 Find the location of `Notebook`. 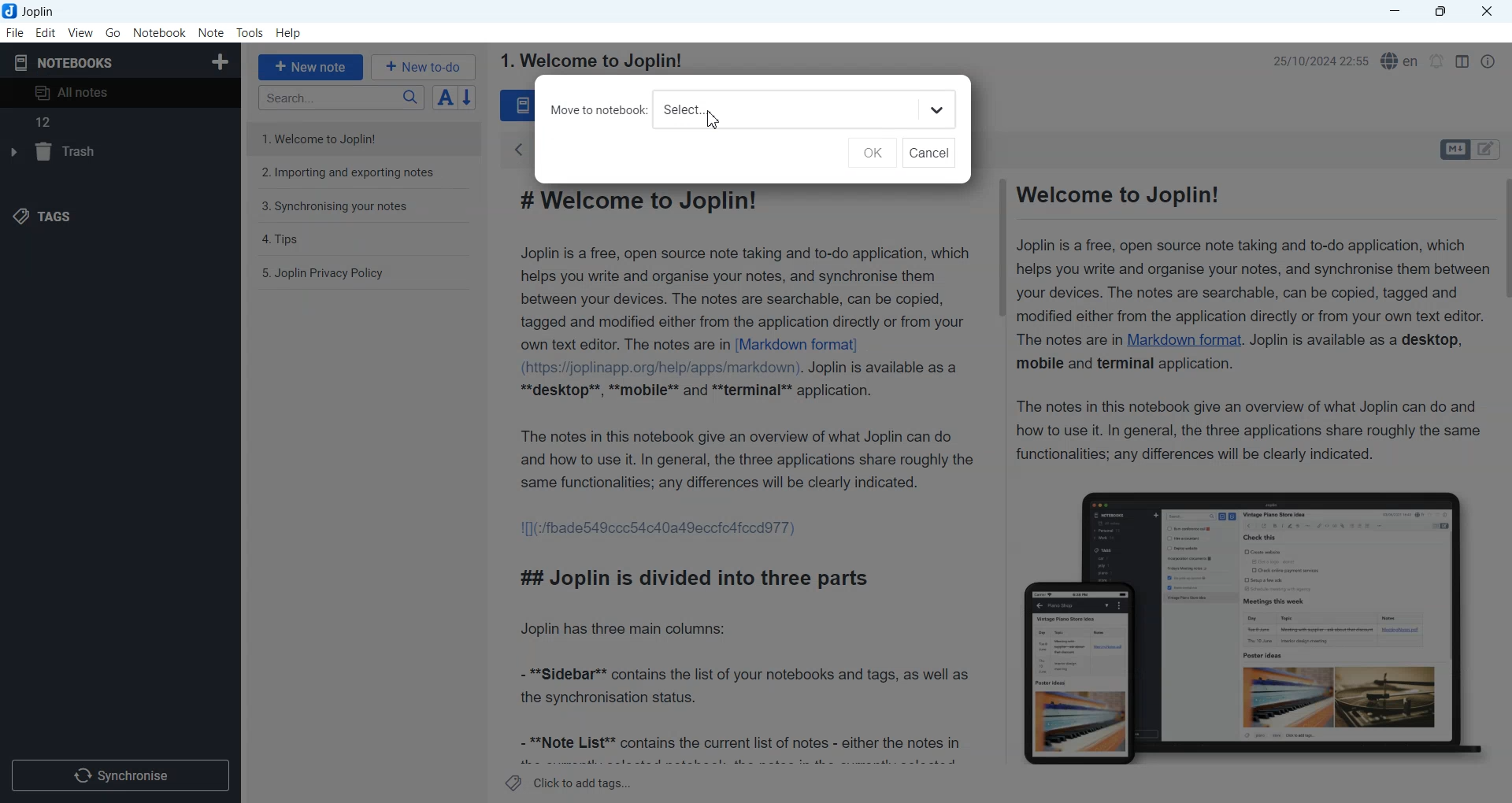

Notebook is located at coordinates (160, 33).